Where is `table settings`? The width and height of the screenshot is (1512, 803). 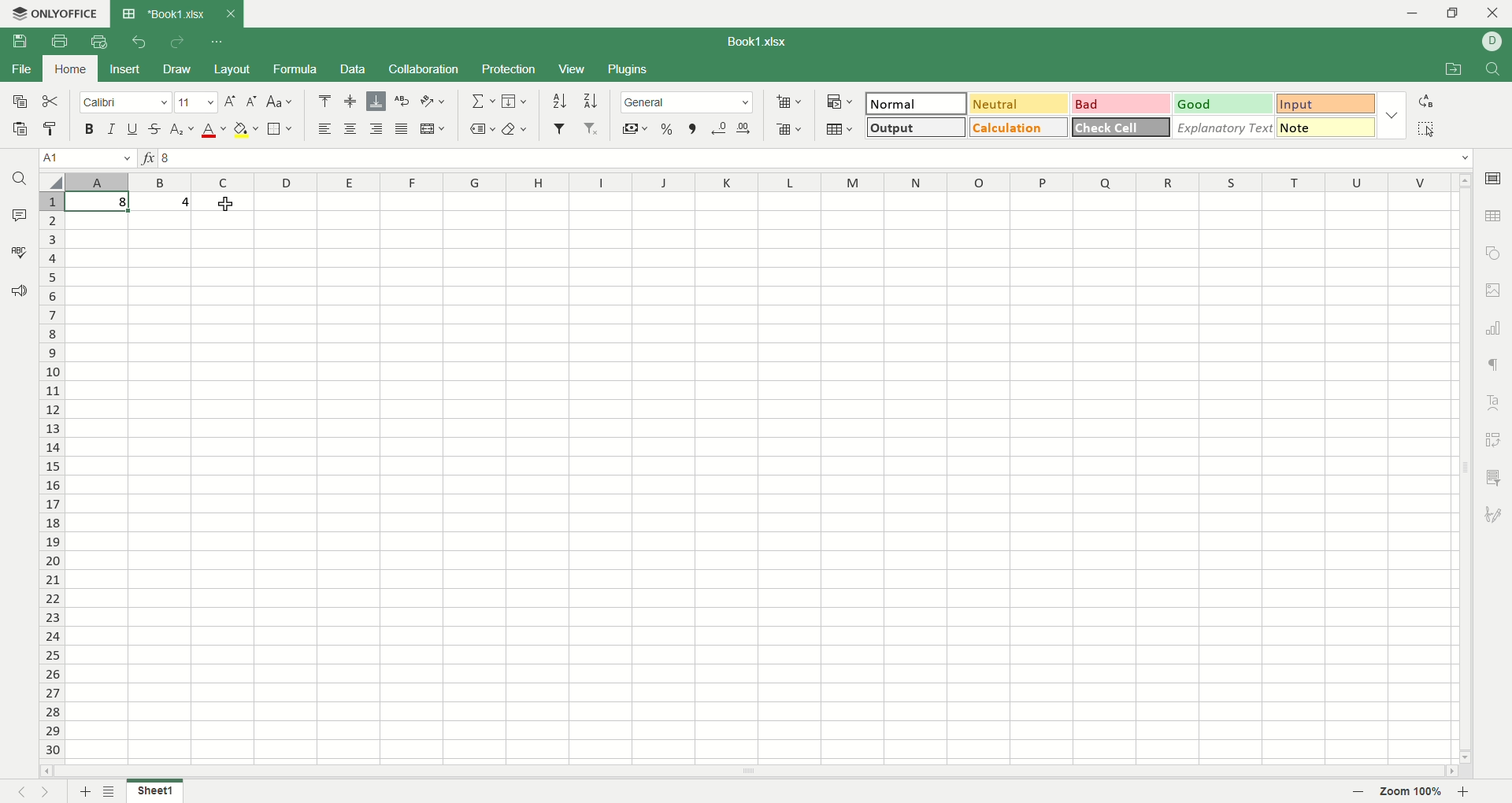
table settings is located at coordinates (1494, 216).